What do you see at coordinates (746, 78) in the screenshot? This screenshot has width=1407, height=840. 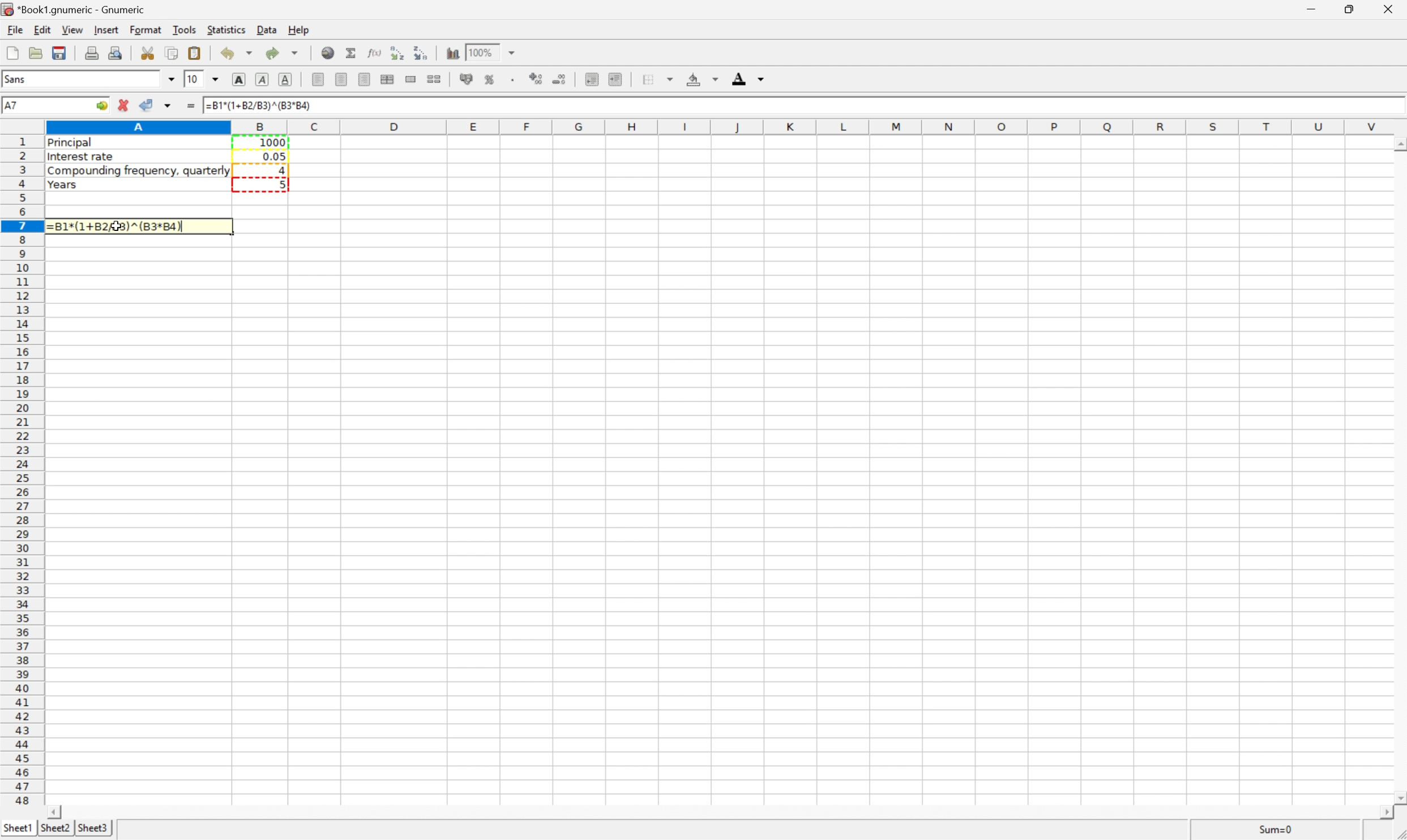 I see `foreground` at bounding box center [746, 78].